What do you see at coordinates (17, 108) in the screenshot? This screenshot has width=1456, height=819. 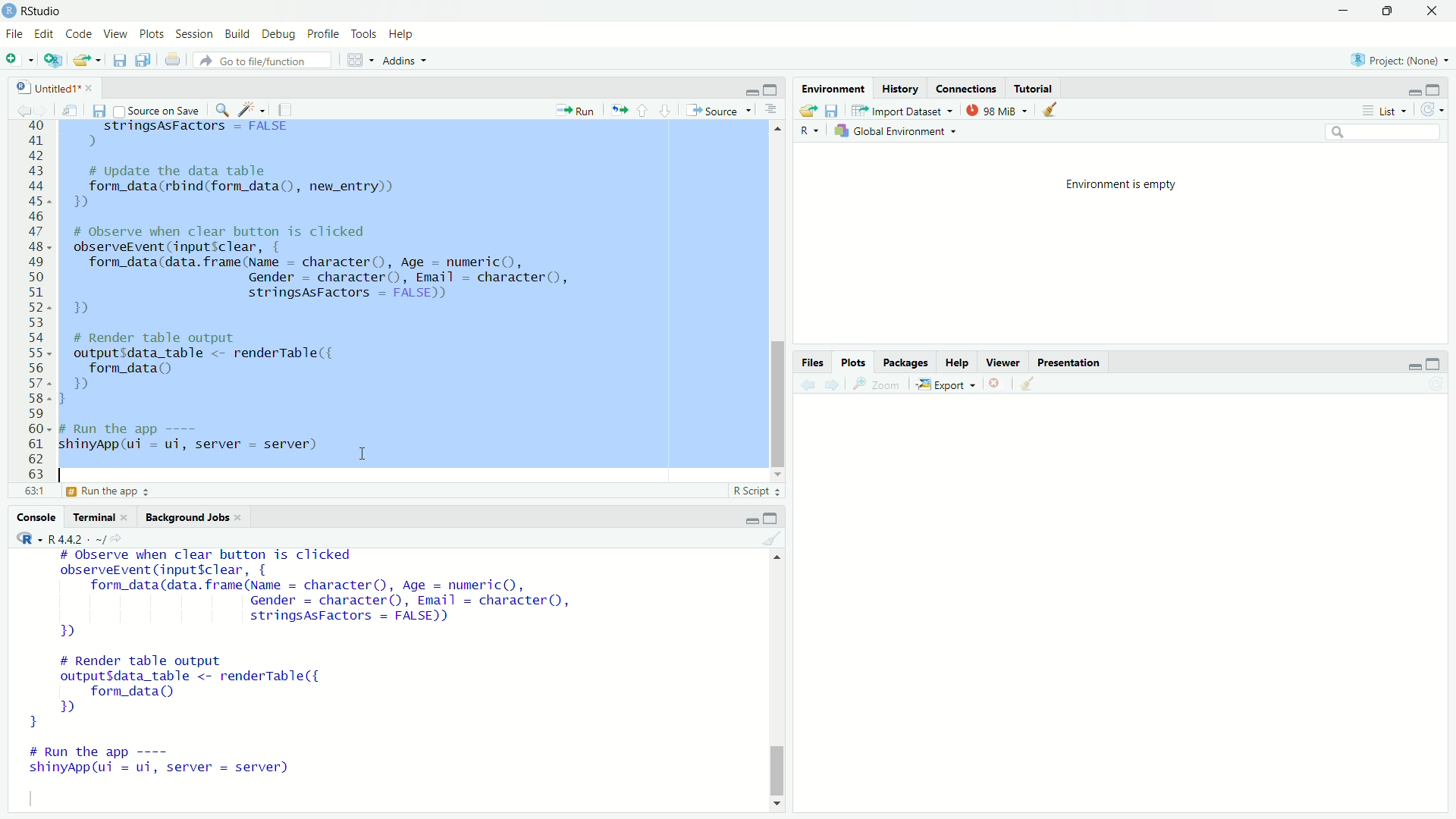 I see `go back to previous source location` at bounding box center [17, 108].